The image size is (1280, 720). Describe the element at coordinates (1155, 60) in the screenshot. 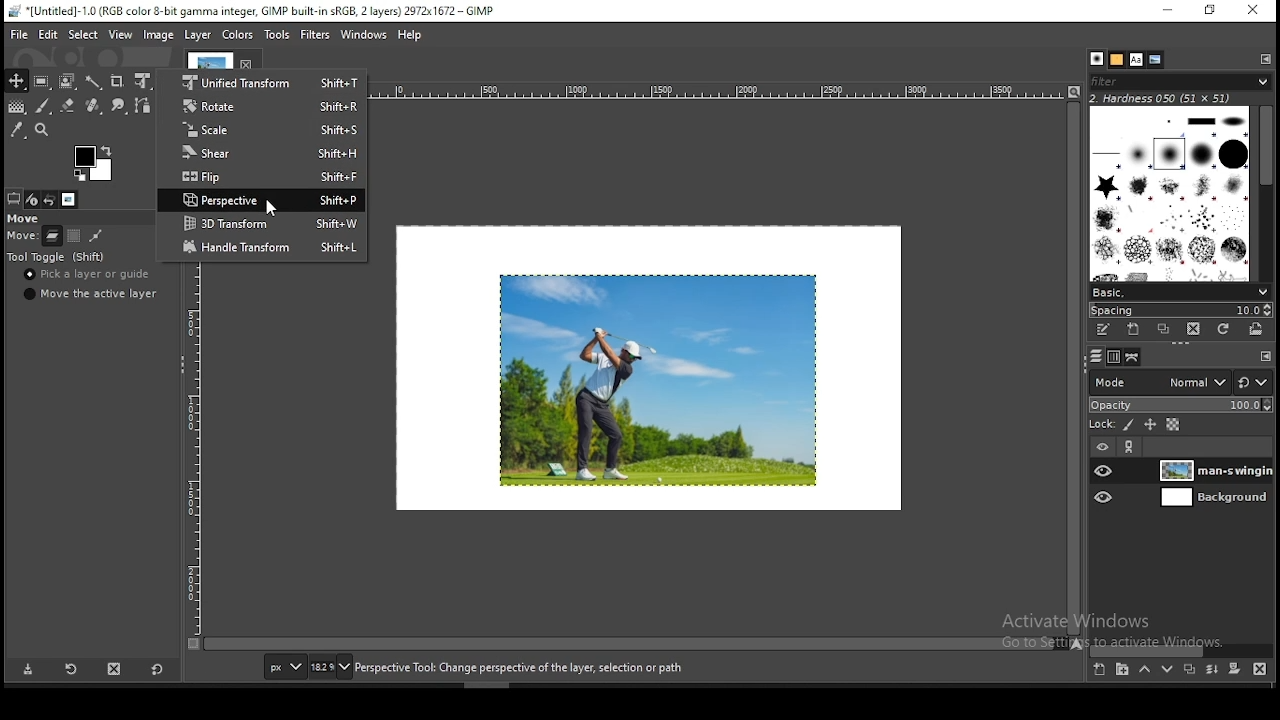

I see `document history` at that location.